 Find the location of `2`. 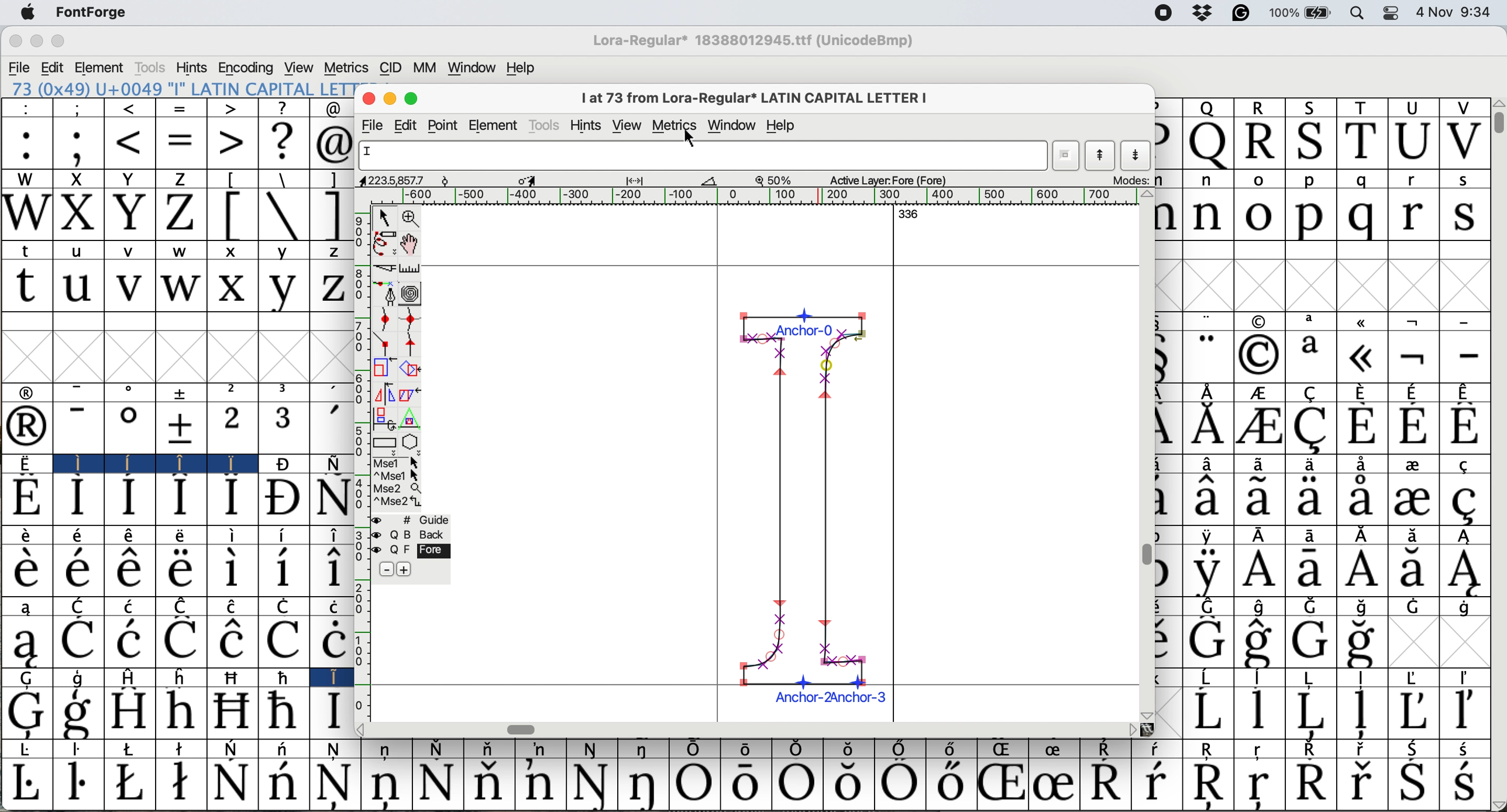

2 is located at coordinates (231, 428).